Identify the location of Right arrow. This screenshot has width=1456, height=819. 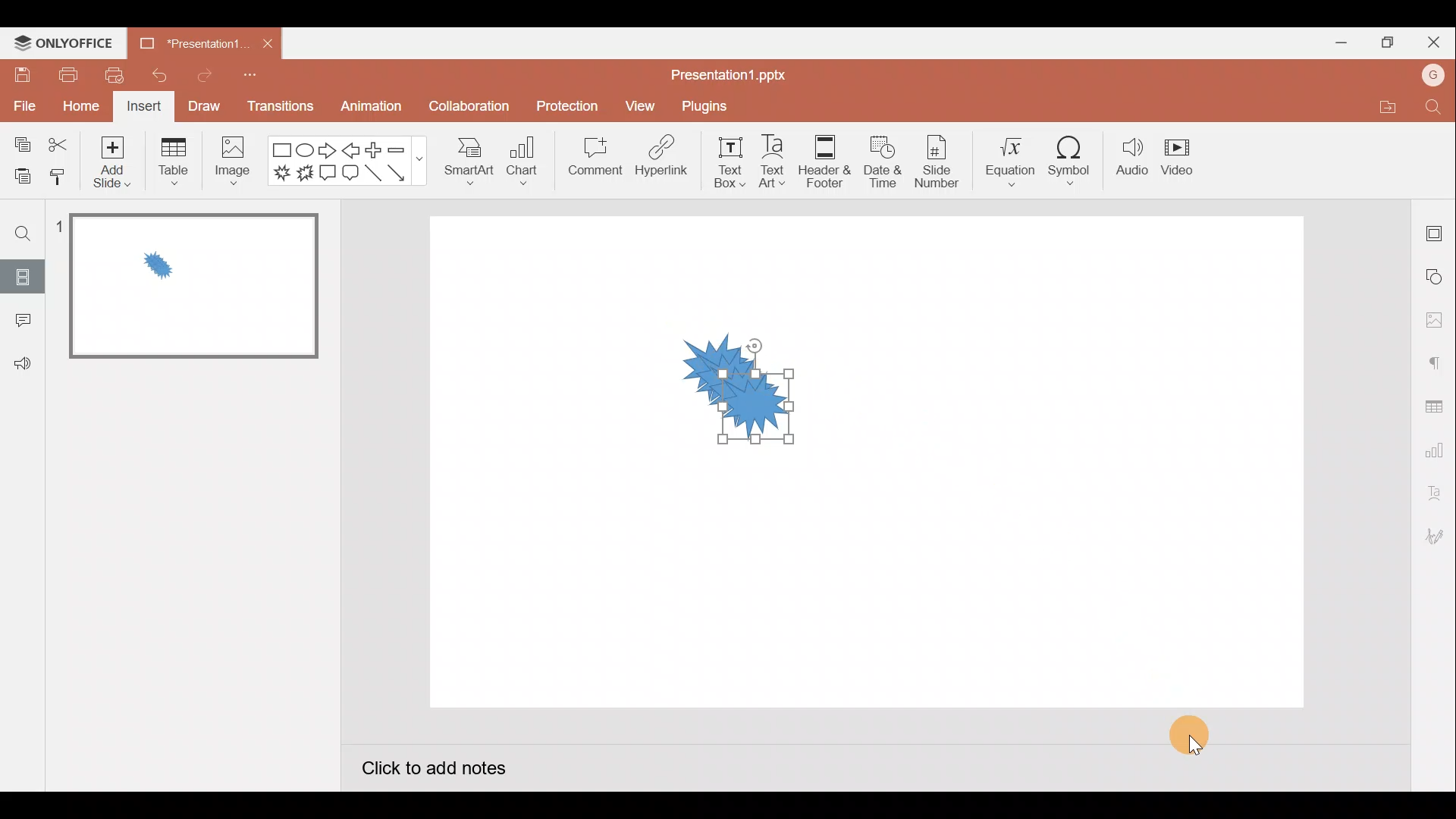
(326, 152).